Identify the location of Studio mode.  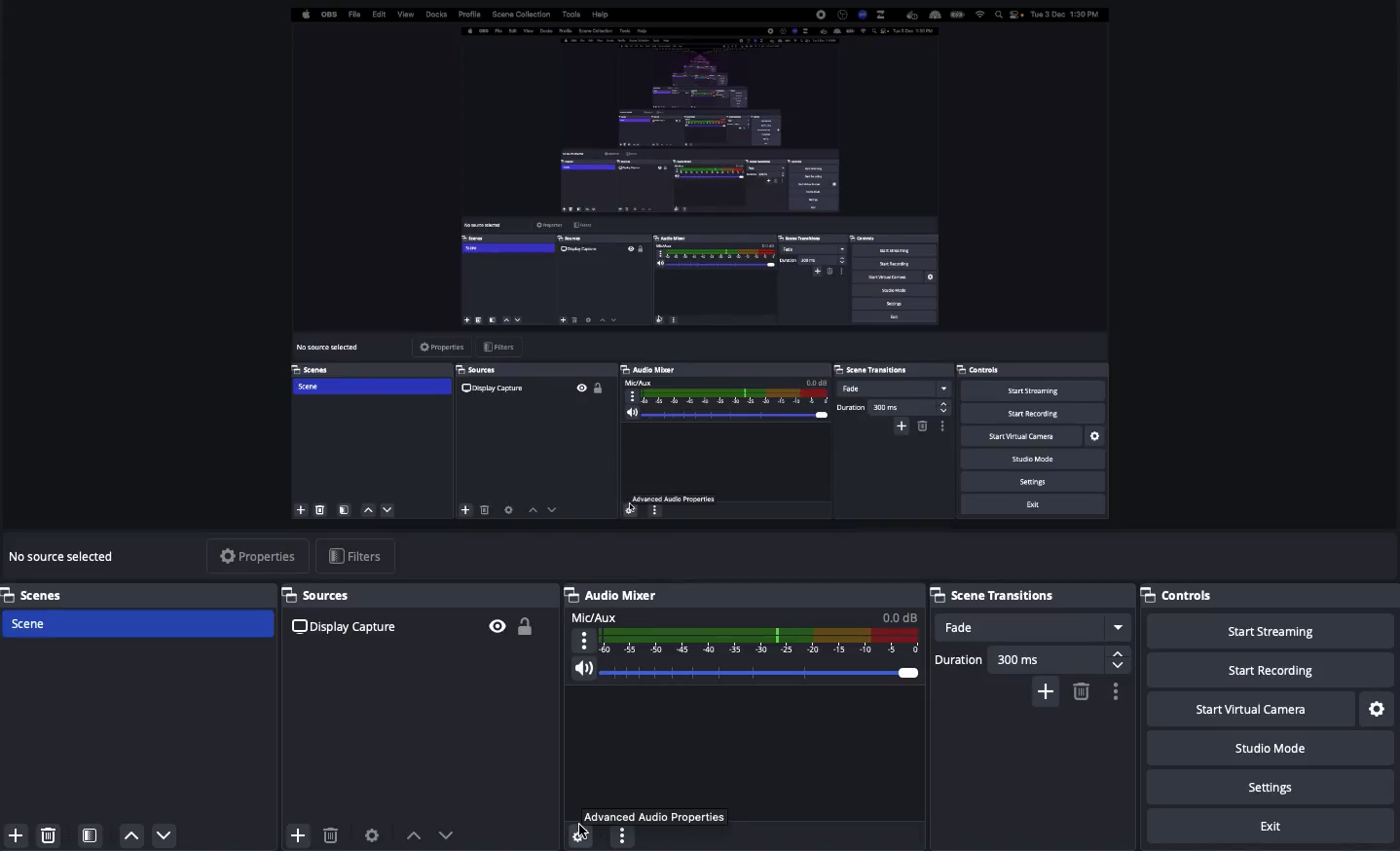
(1272, 749).